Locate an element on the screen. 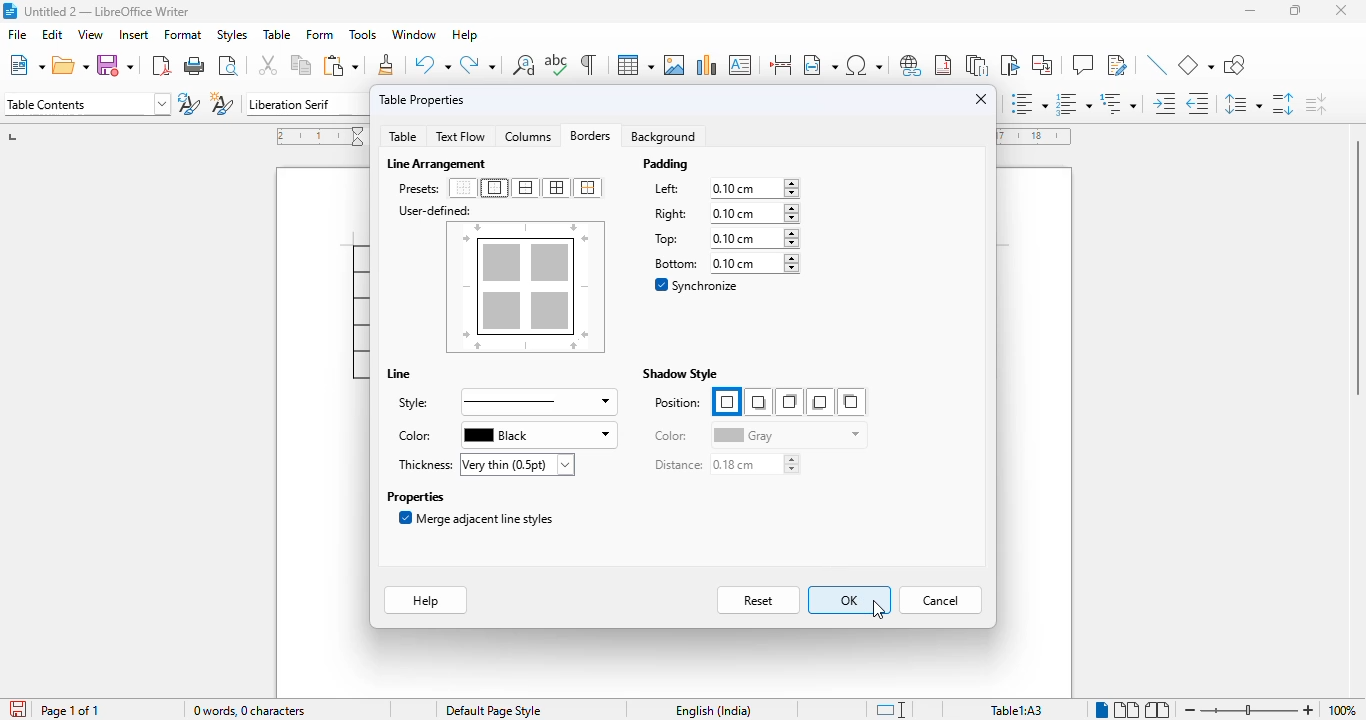  reset is located at coordinates (760, 600).